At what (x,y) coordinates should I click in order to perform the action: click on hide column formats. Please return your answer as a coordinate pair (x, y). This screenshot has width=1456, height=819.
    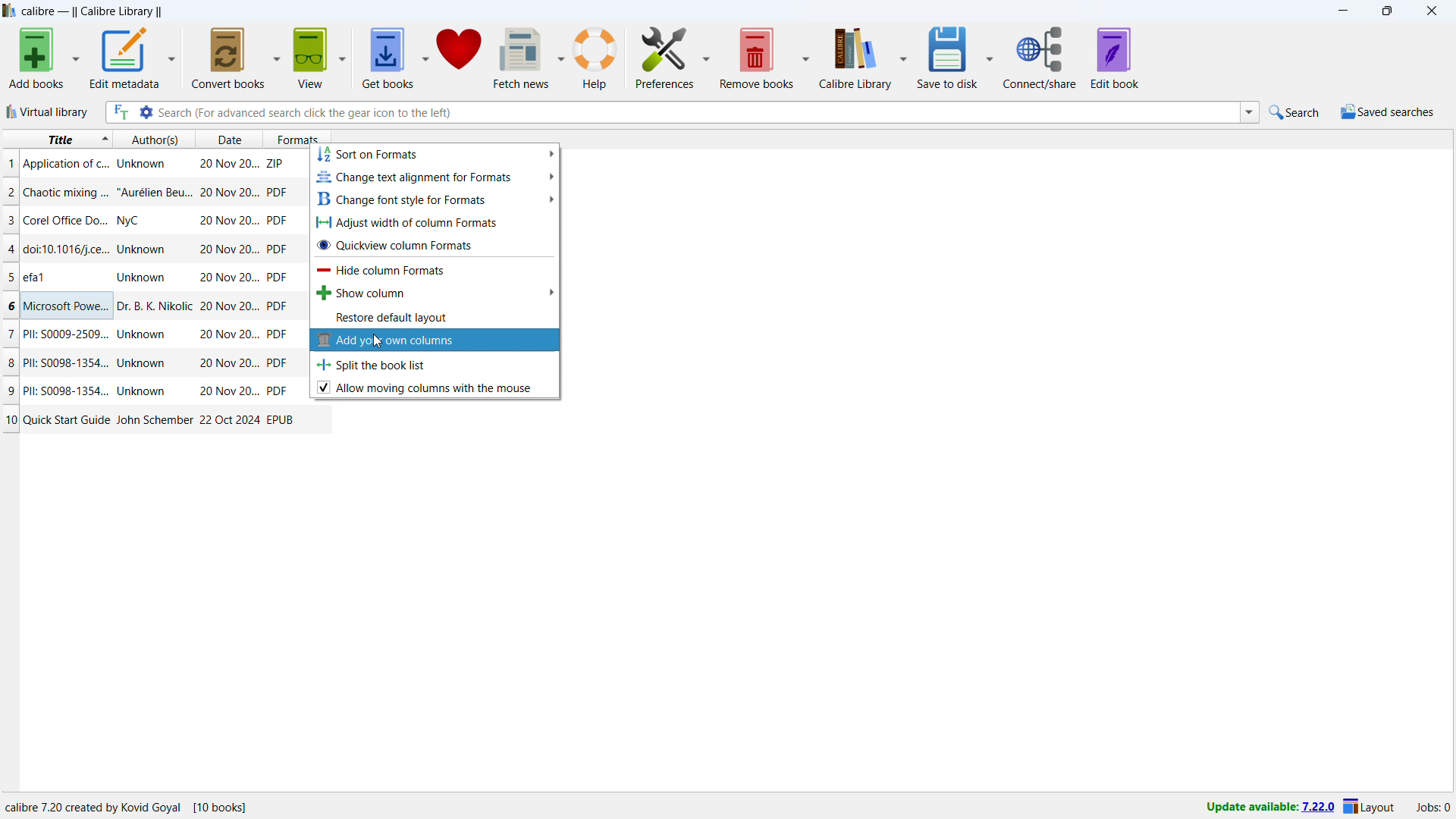
    Looking at the image, I should click on (435, 269).